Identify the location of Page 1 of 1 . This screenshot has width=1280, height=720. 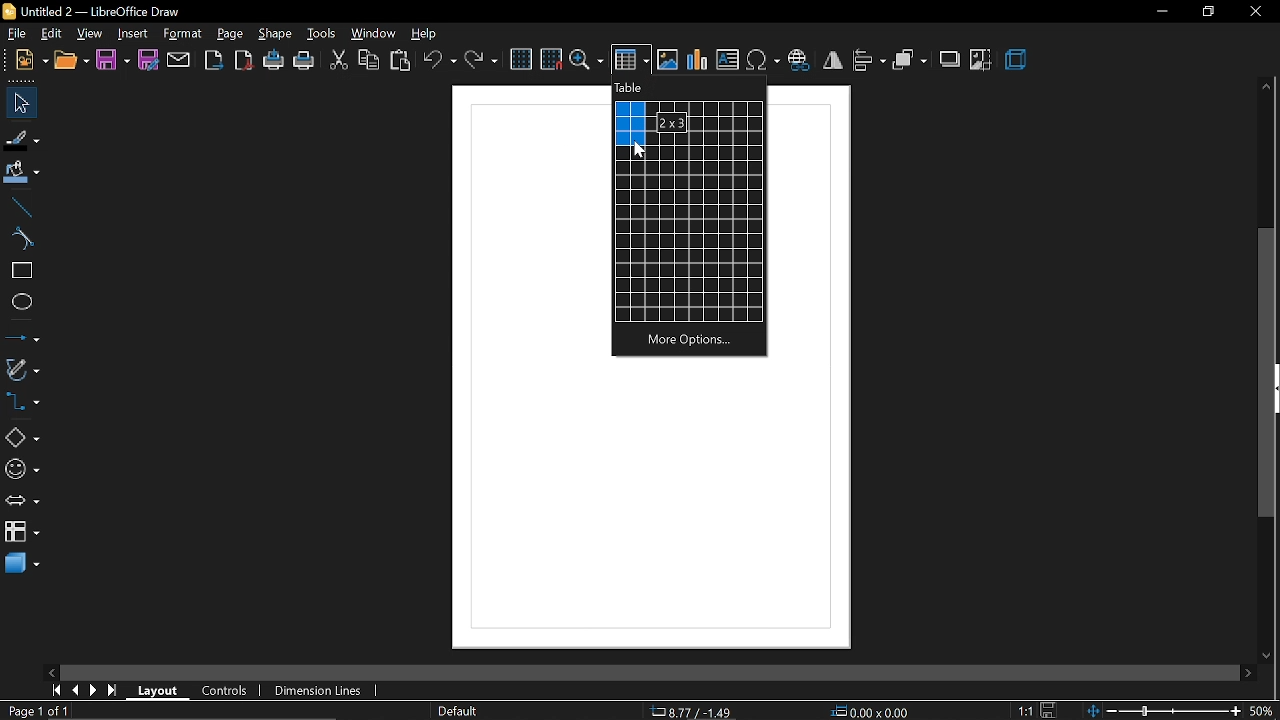
(34, 710).